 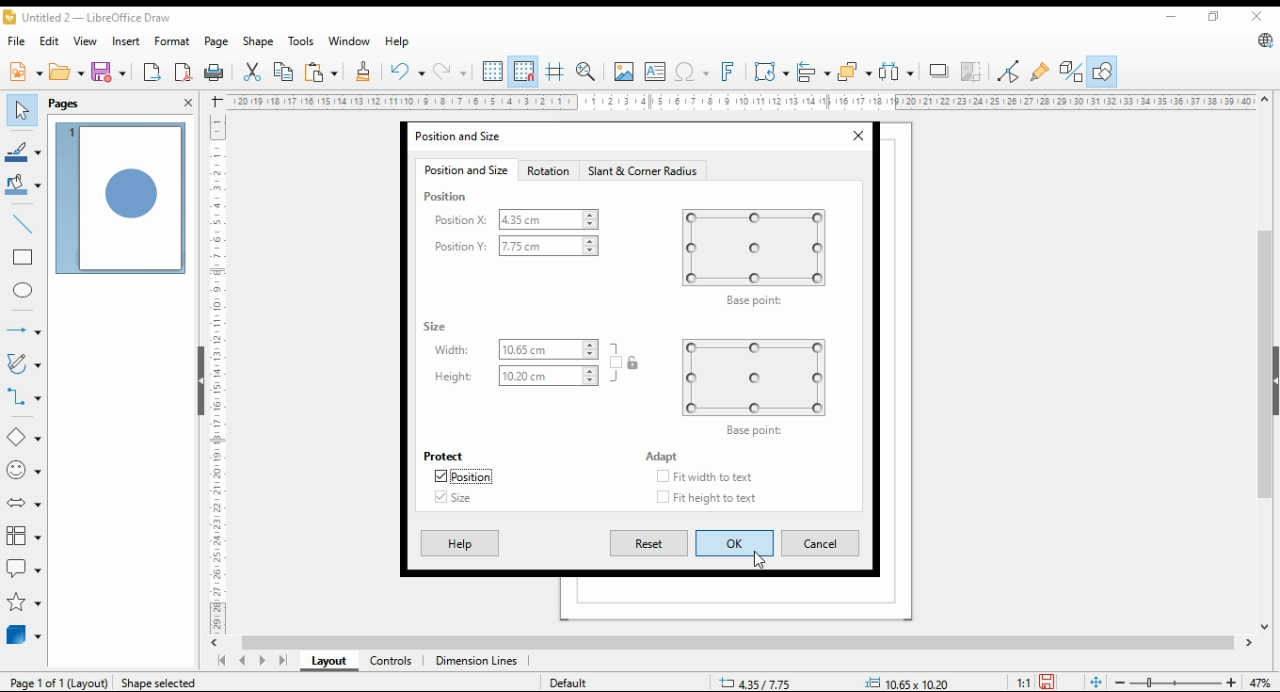 I want to click on fill color, so click(x=23, y=185).